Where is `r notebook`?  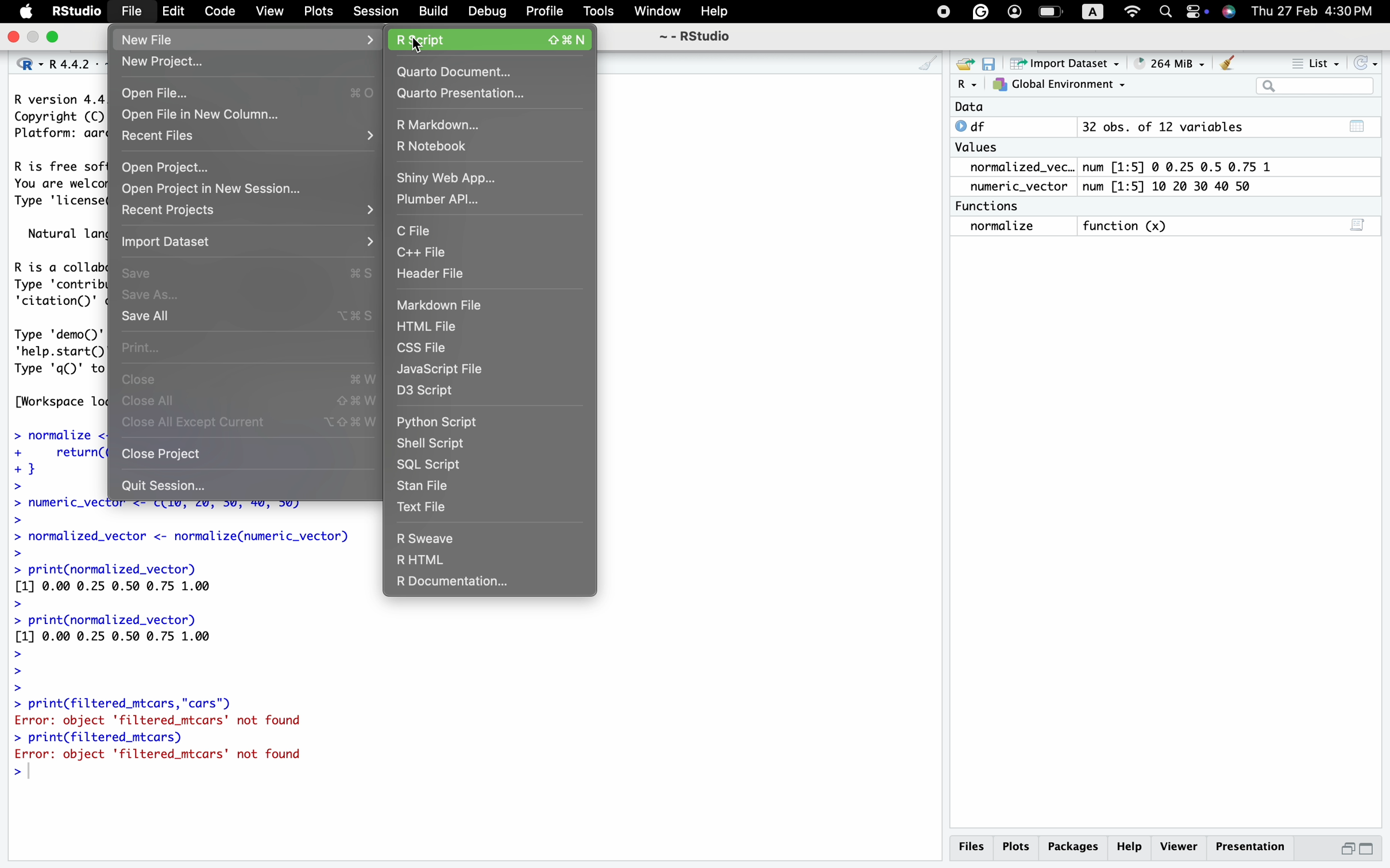 r notebook is located at coordinates (489, 147).